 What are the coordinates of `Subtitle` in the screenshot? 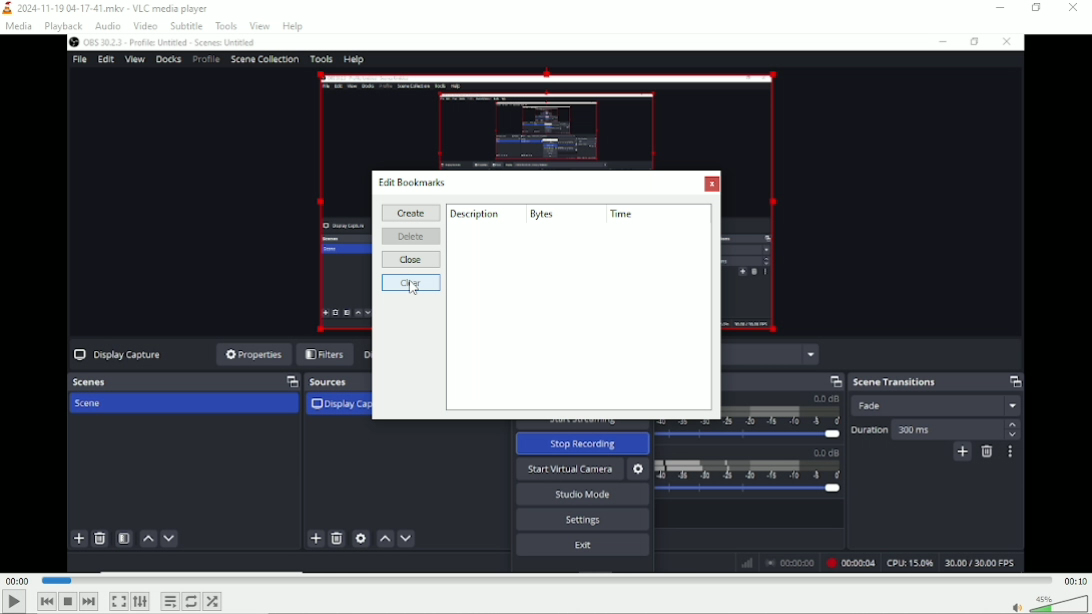 It's located at (187, 25).